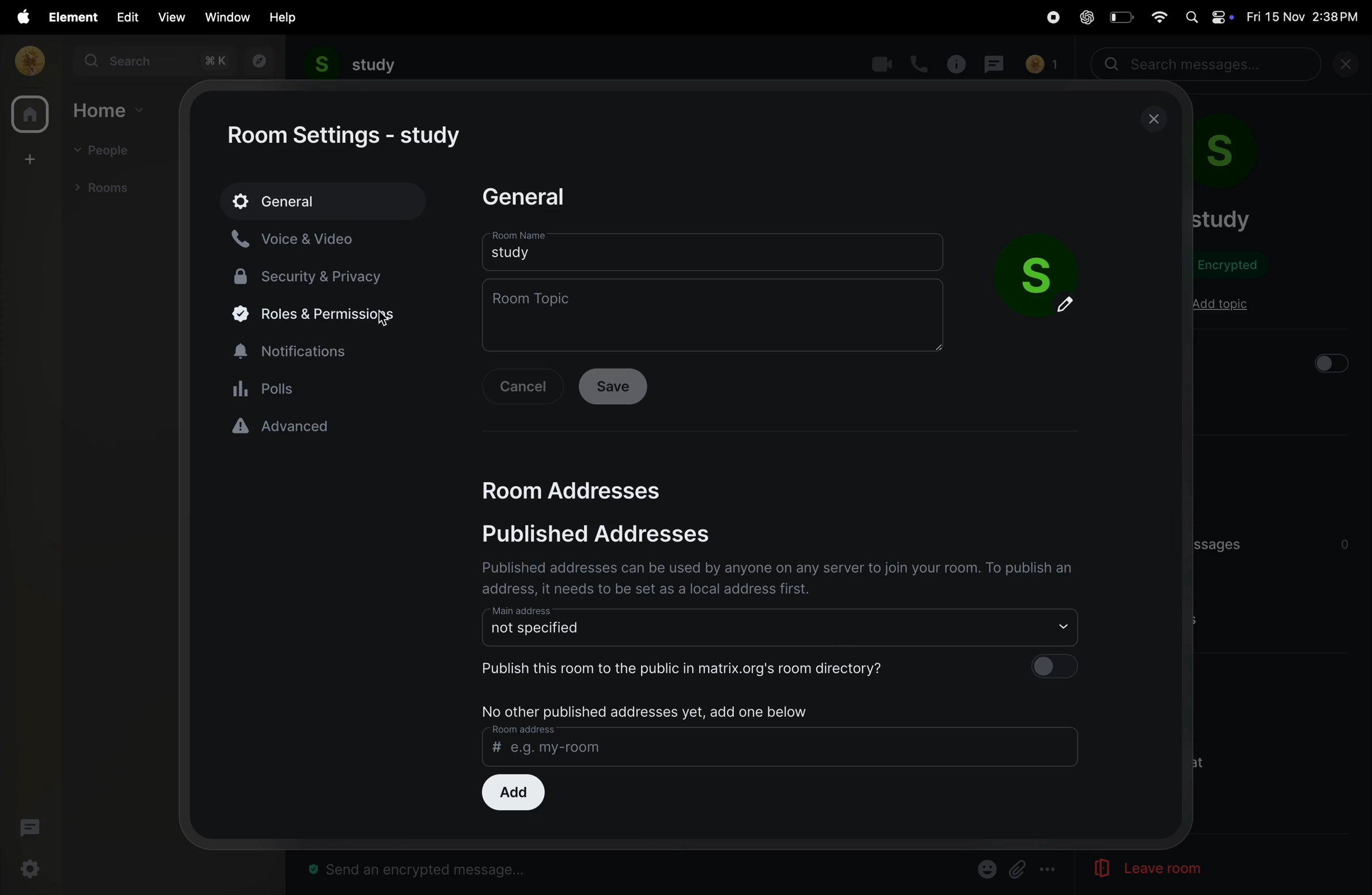 The height and width of the screenshot is (895, 1372). What do you see at coordinates (1049, 870) in the screenshot?
I see `more options` at bounding box center [1049, 870].